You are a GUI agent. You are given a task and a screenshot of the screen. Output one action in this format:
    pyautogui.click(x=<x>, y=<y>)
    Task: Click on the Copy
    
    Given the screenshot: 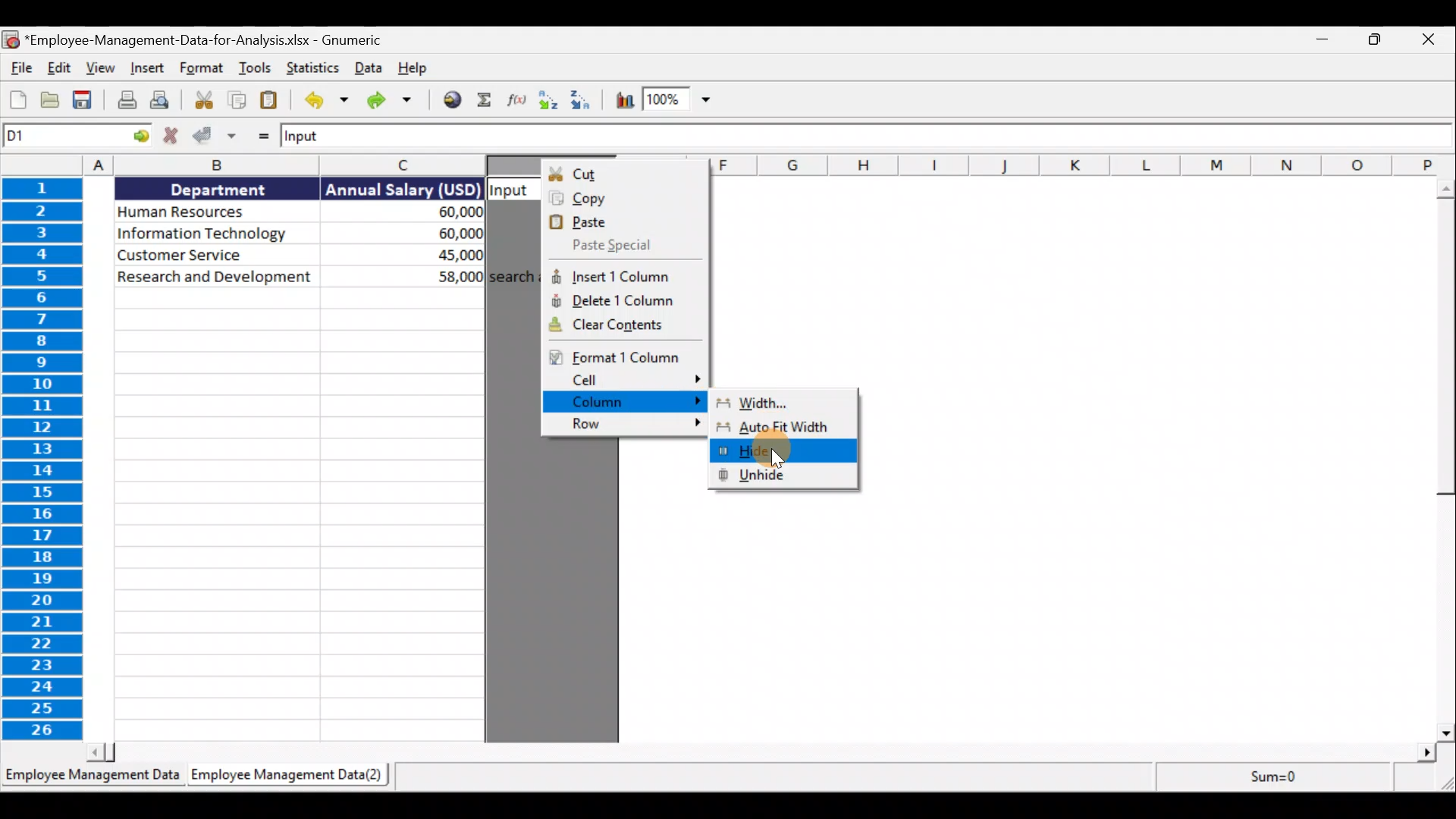 What is the action you would take?
    pyautogui.click(x=626, y=199)
    